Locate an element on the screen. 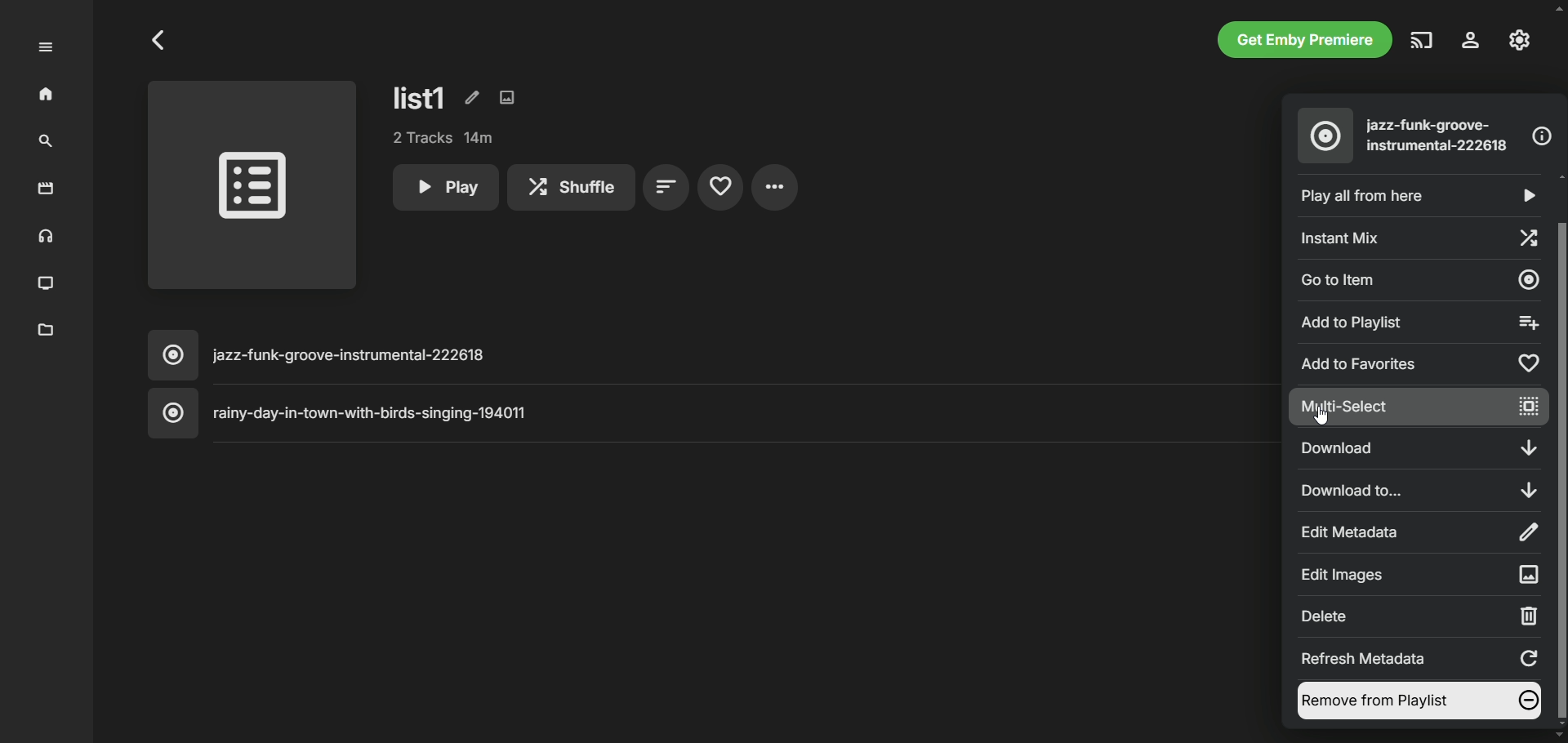 The width and height of the screenshot is (1568, 743). Go to previous page is located at coordinates (160, 40).